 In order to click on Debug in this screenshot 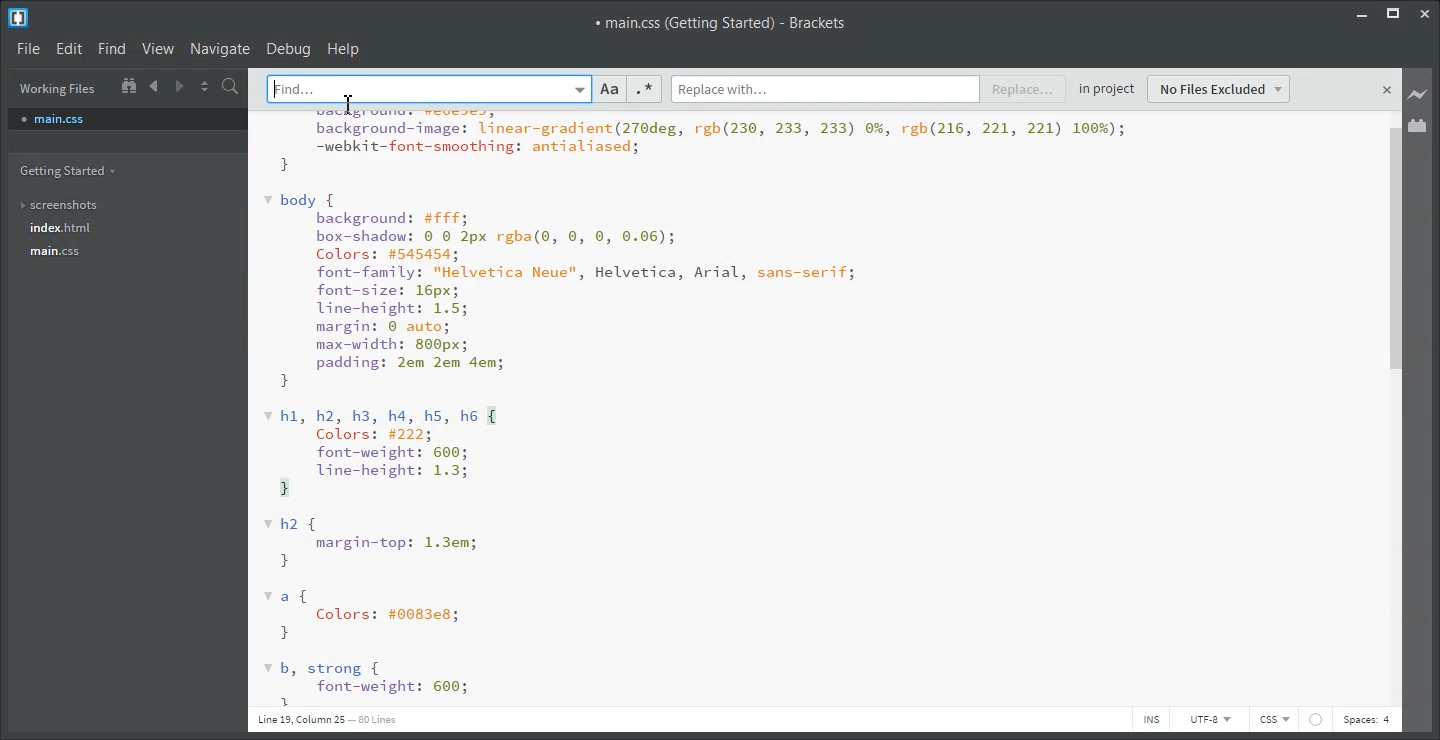, I will do `click(289, 48)`.